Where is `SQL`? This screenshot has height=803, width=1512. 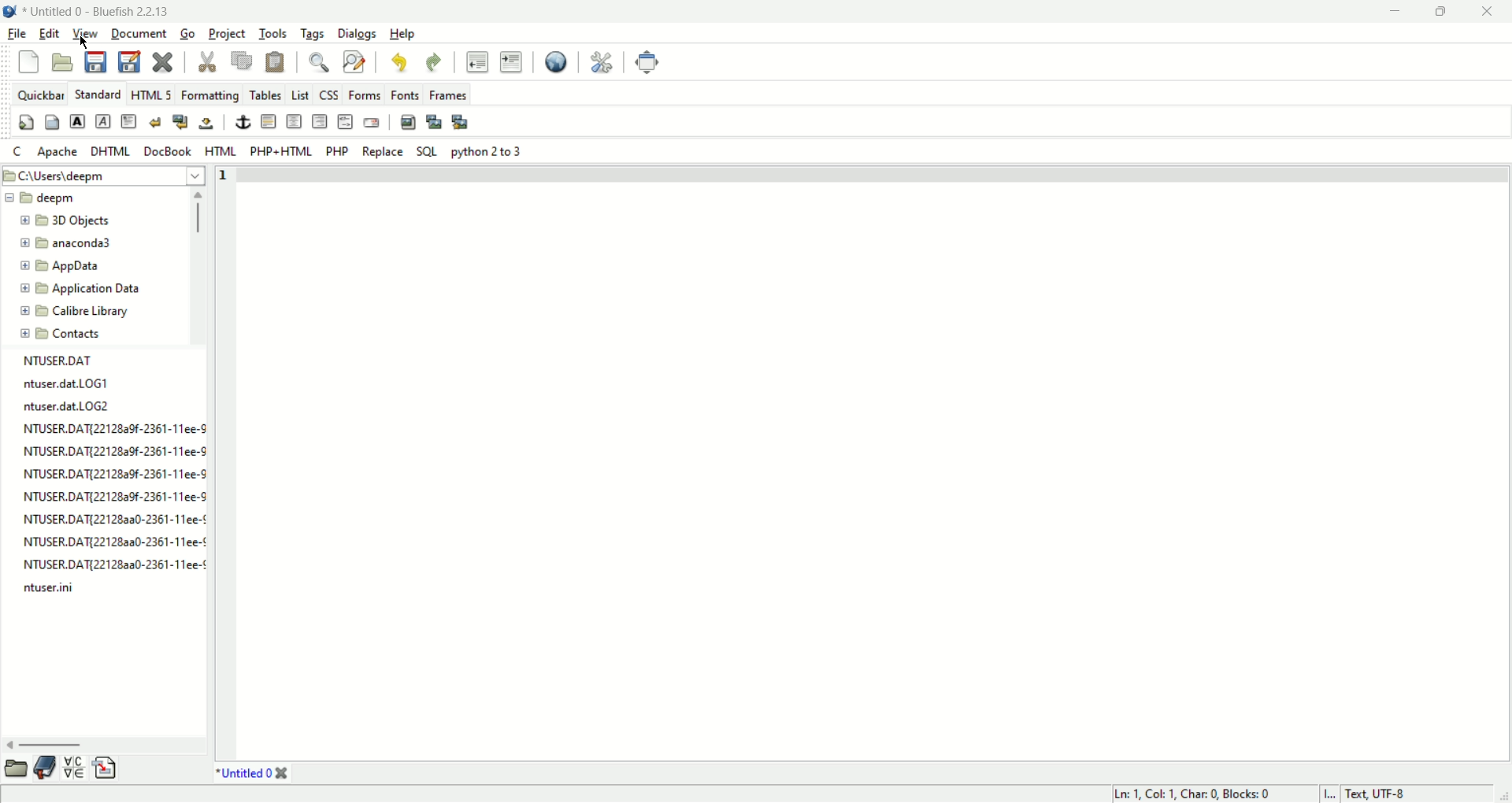 SQL is located at coordinates (428, 153).